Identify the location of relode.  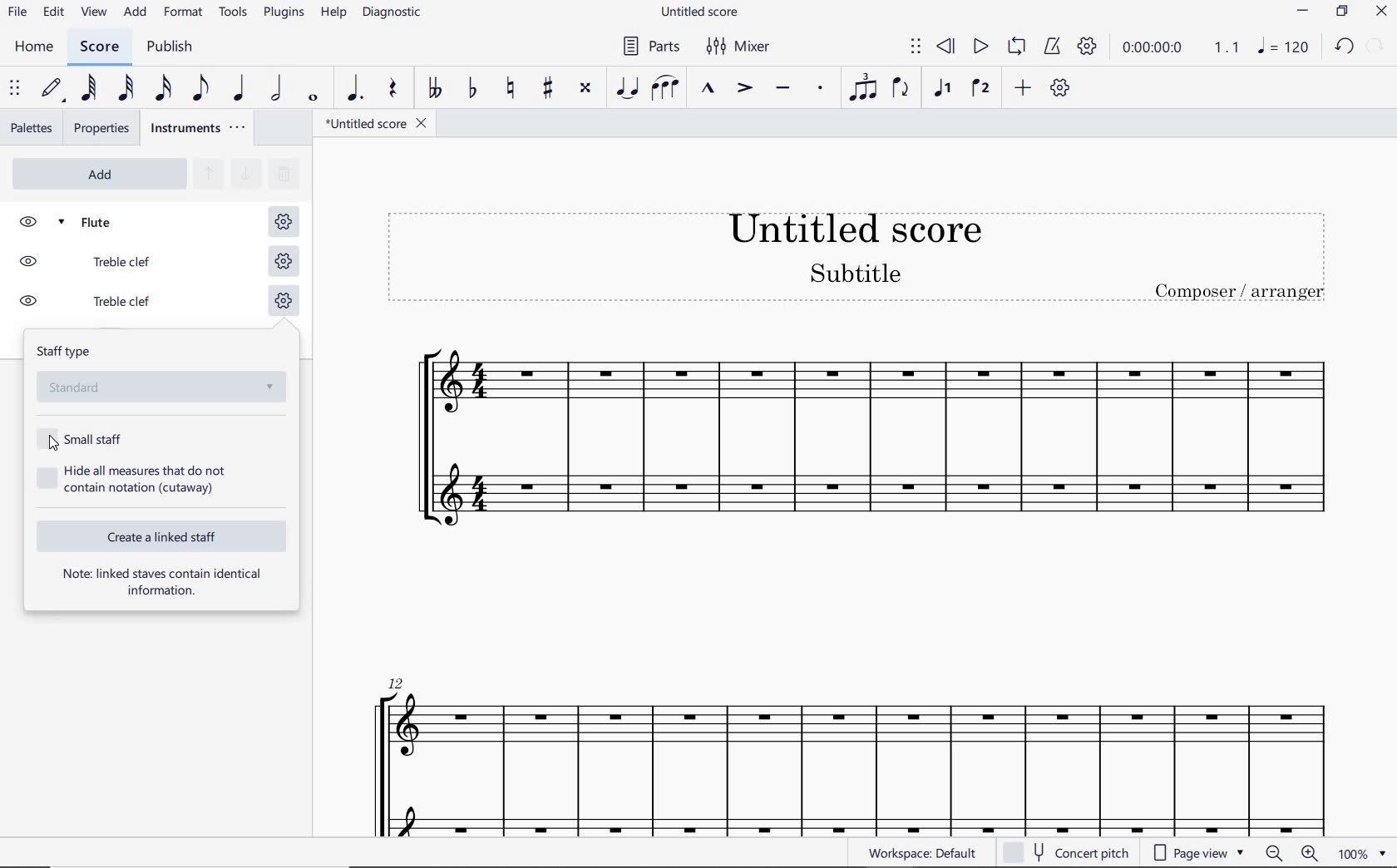
(1376, 44).